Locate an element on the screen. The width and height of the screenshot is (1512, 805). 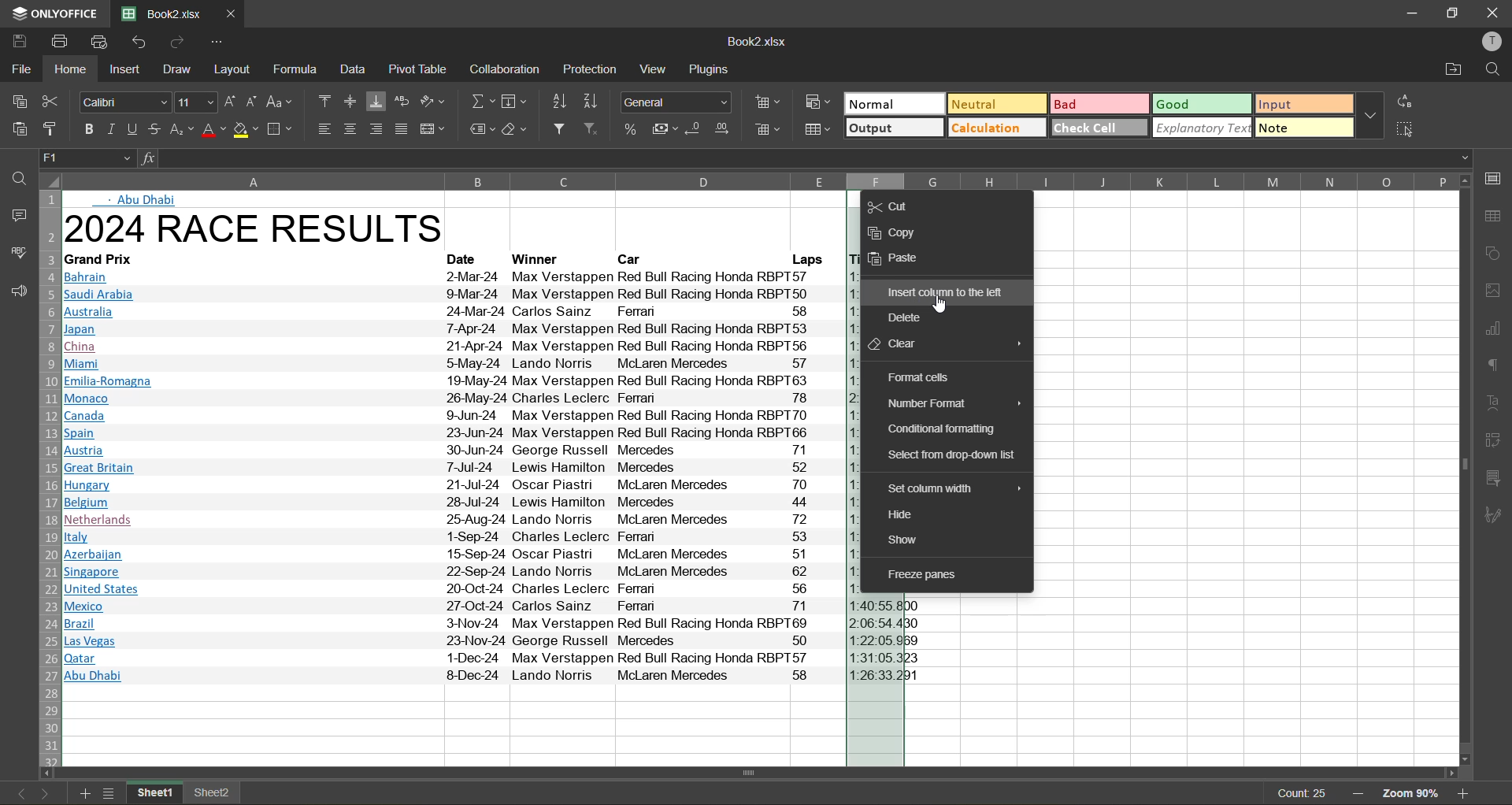
move up is located at coordinates (1466, 180).